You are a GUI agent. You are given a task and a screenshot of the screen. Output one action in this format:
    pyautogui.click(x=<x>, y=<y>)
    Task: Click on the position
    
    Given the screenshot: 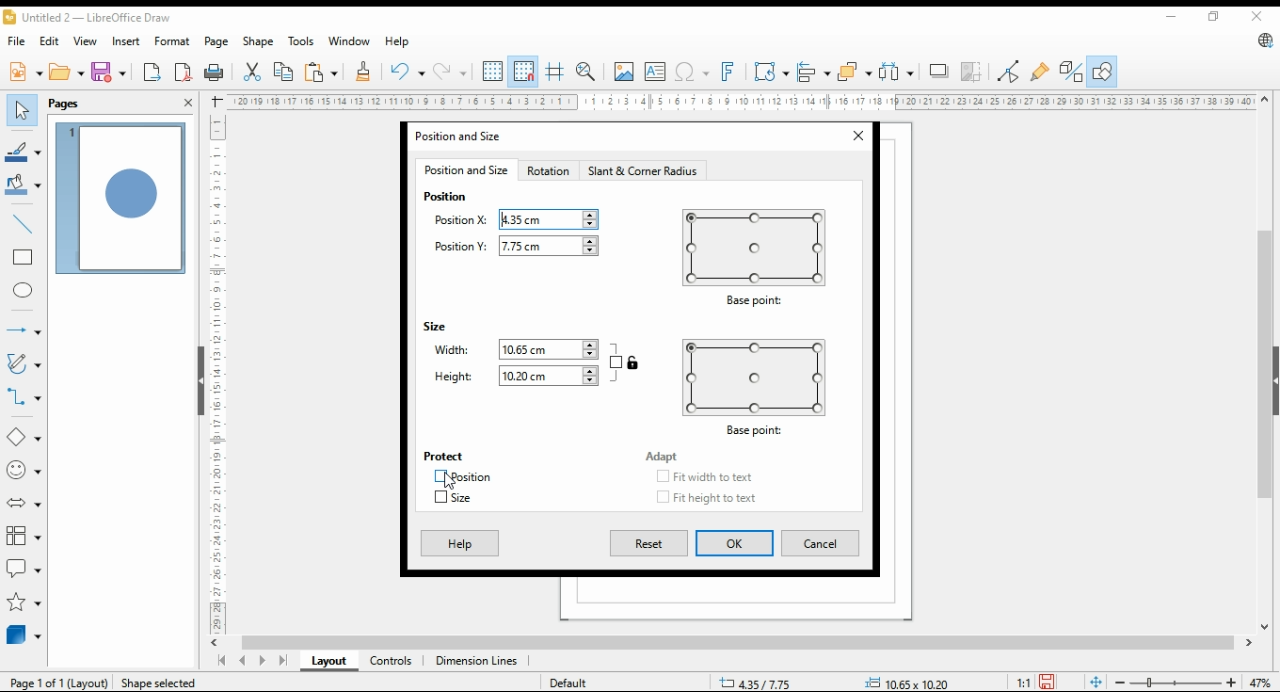 What is the action you would take?
    pyautogui.click(x=464, y=479)
    